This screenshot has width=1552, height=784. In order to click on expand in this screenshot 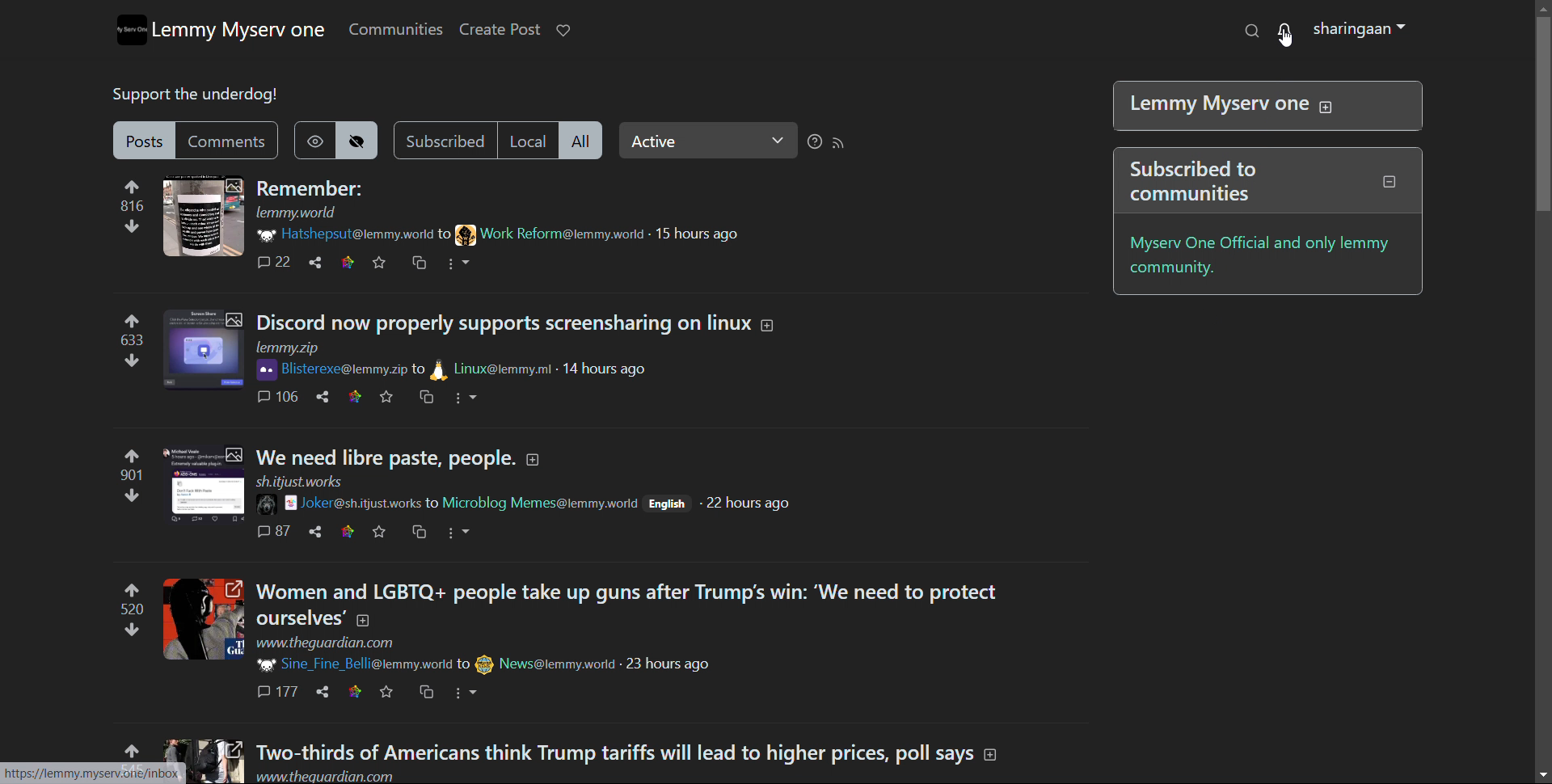, I will do `click(533, 459)`.